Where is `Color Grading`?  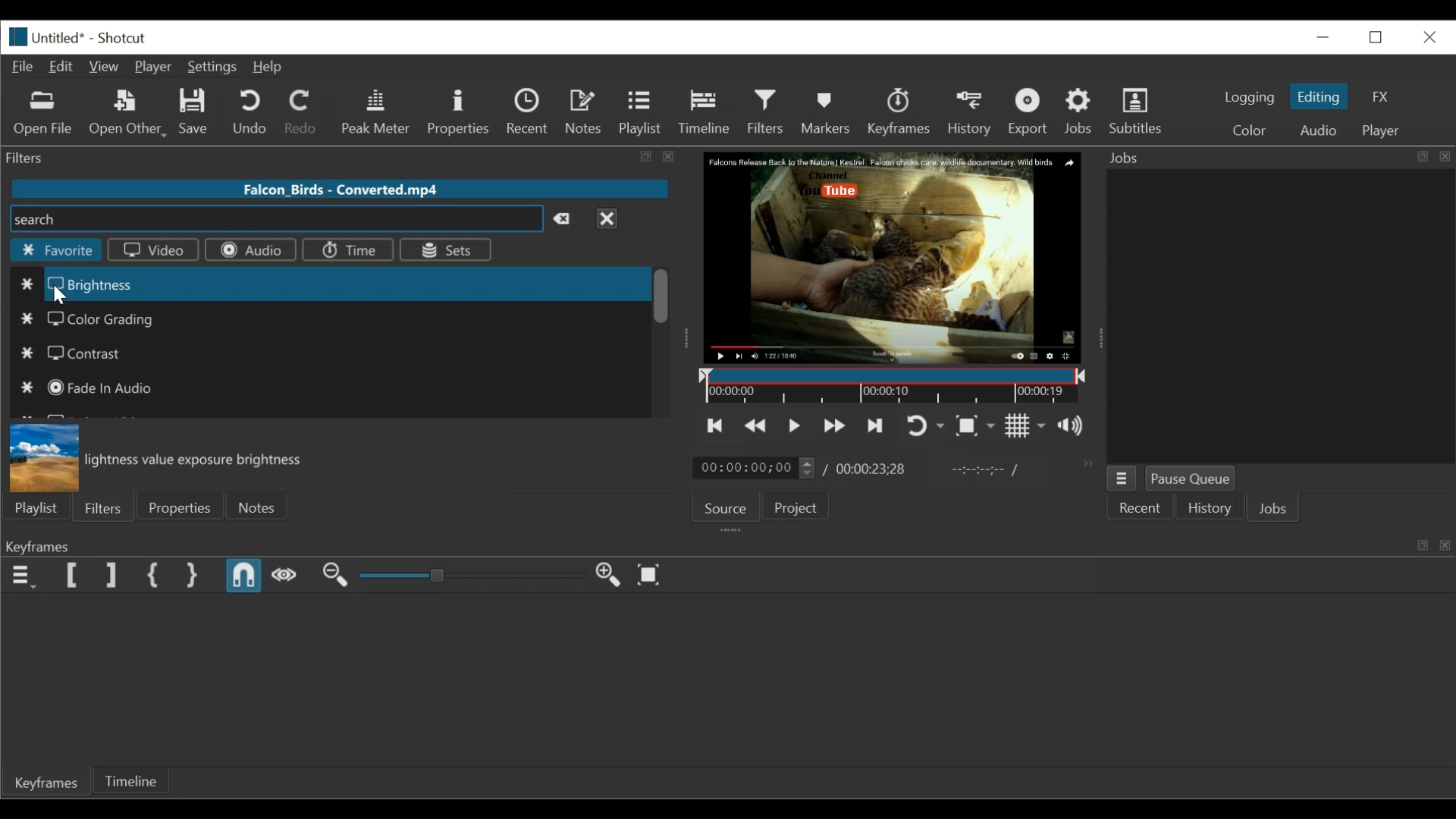 Color Grading is located at coordinates (331, 319).